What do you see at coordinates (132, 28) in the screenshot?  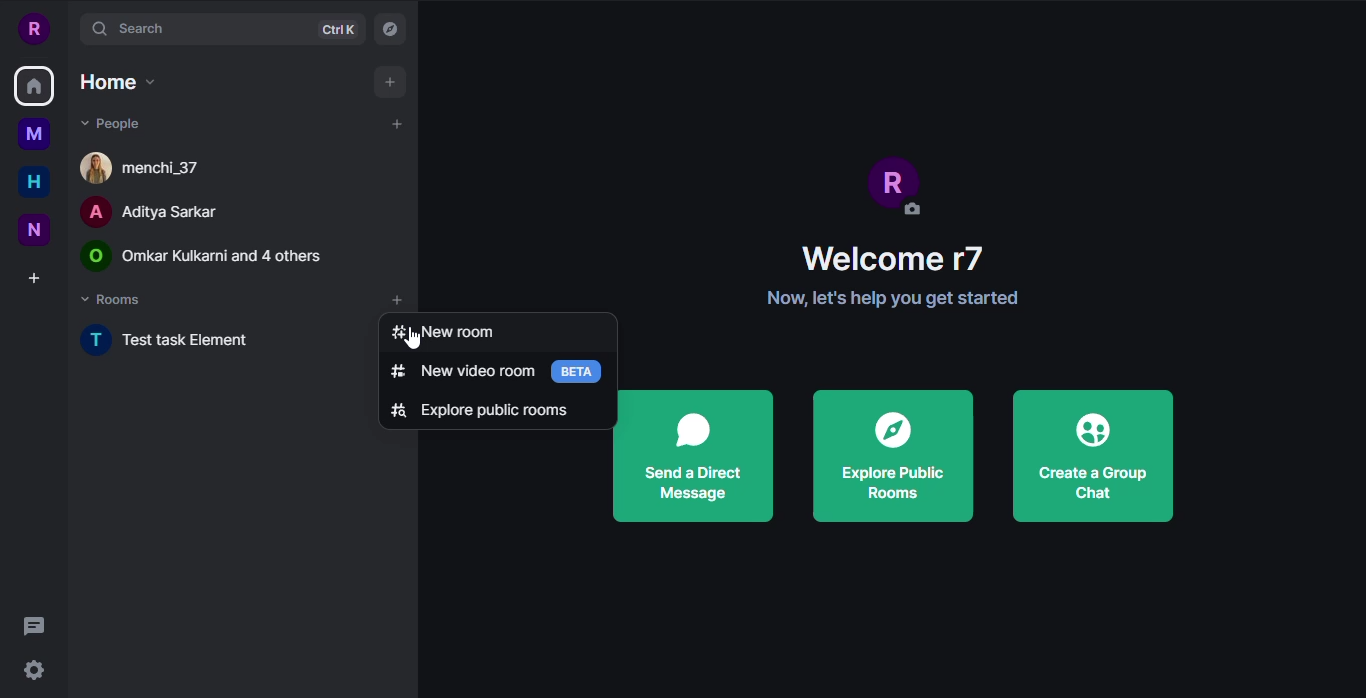 I see `search` at bounding box center [132, 28].